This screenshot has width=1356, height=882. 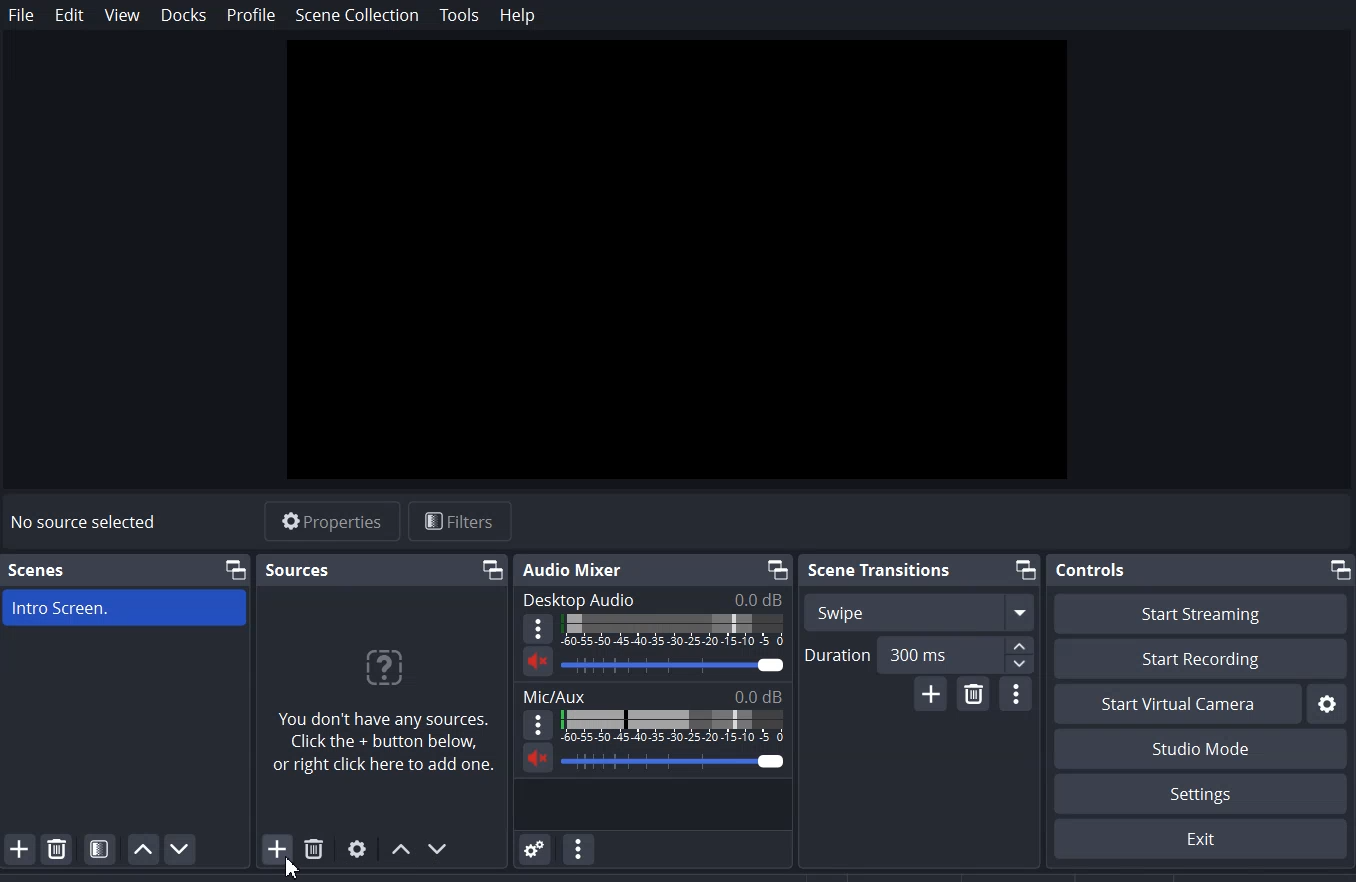 What do you see at coordinates (36, 569) in the screenshot?
I see `Scene` at bounding box center [36, 569].